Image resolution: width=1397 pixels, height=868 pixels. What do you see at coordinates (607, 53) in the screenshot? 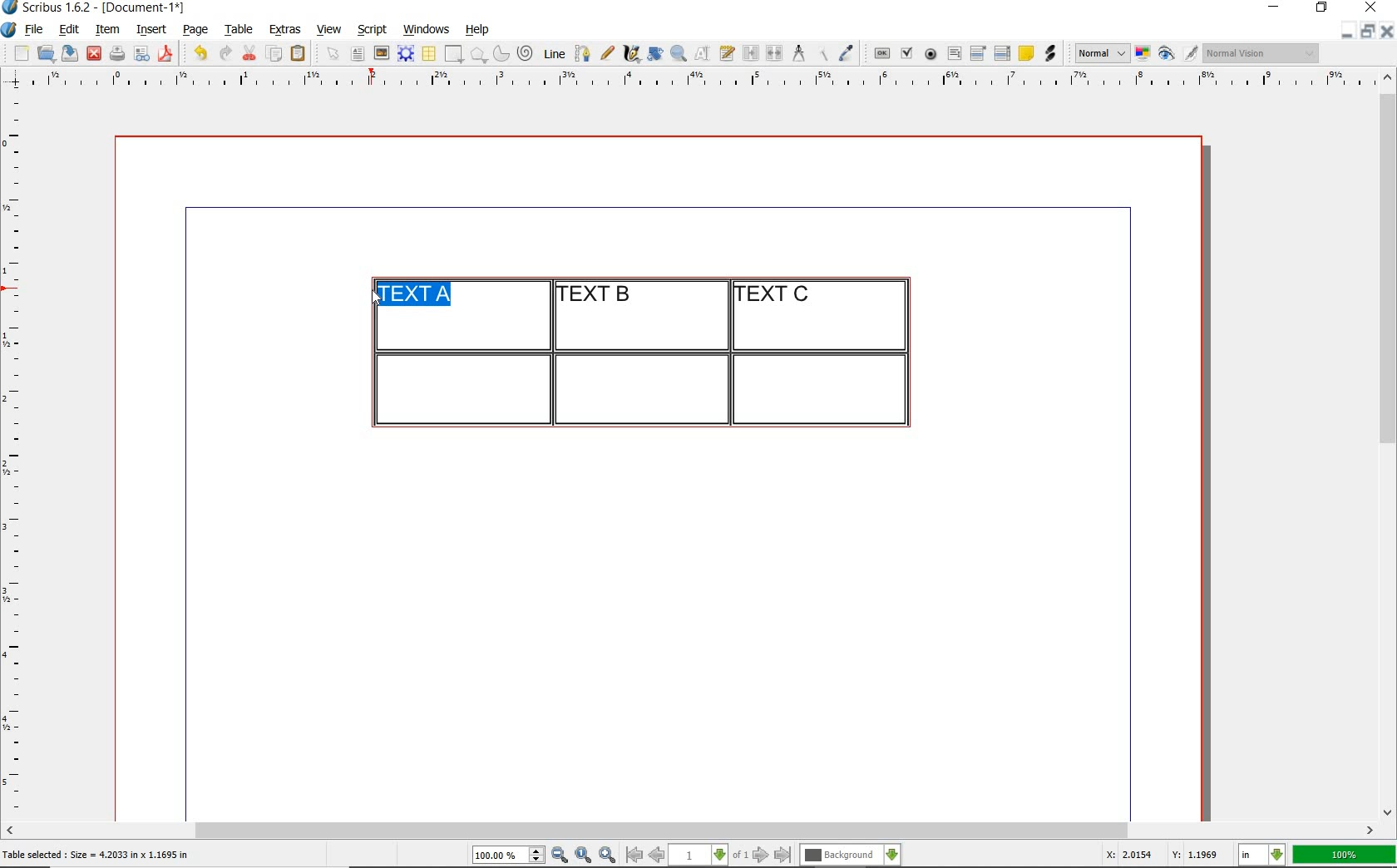
I see `freehand line` at bounding box center [607, 53].